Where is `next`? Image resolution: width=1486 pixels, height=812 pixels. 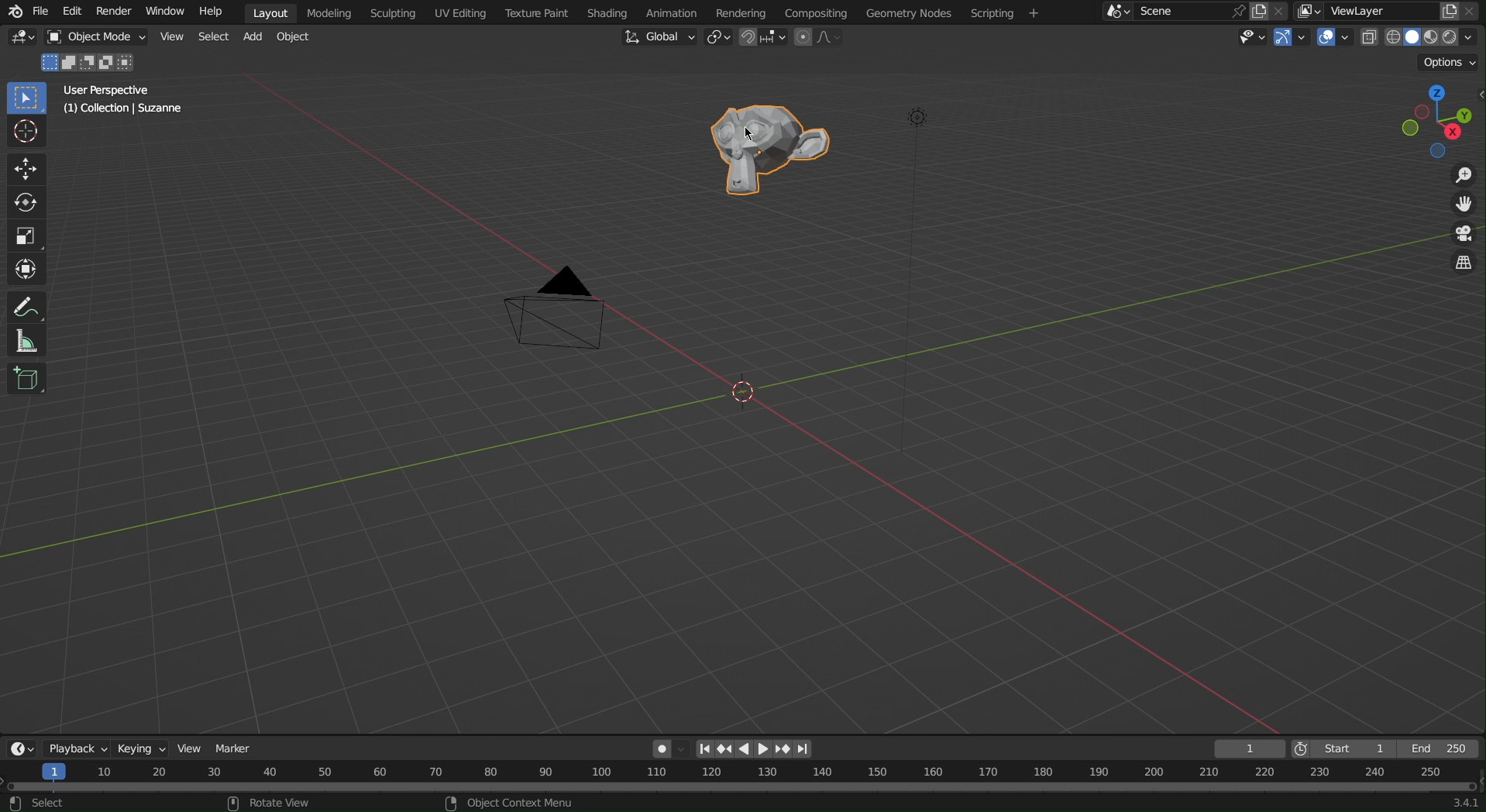 next is located at coordinates (786, 749).